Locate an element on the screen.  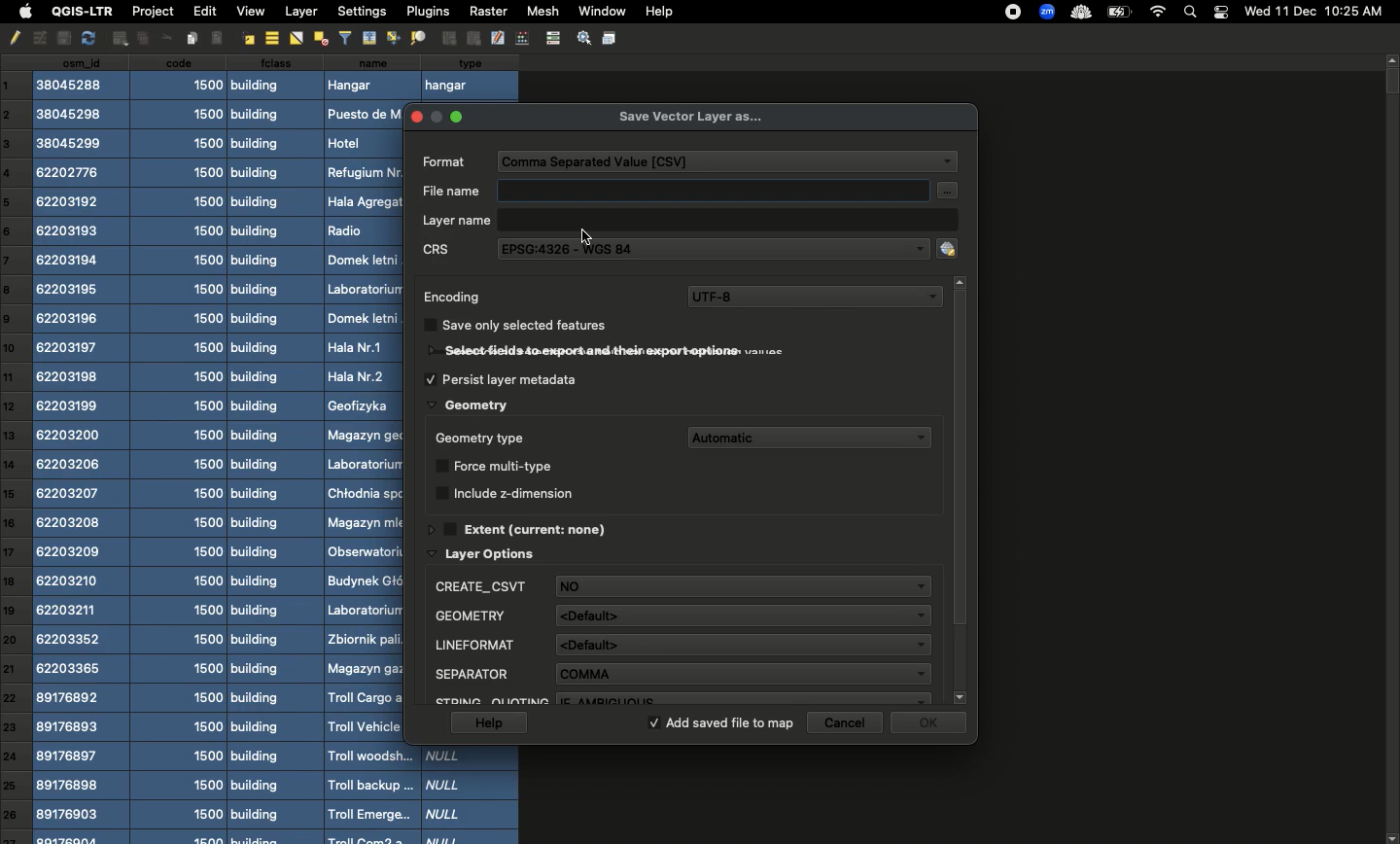
Extent is located at coordinates (532, 525).